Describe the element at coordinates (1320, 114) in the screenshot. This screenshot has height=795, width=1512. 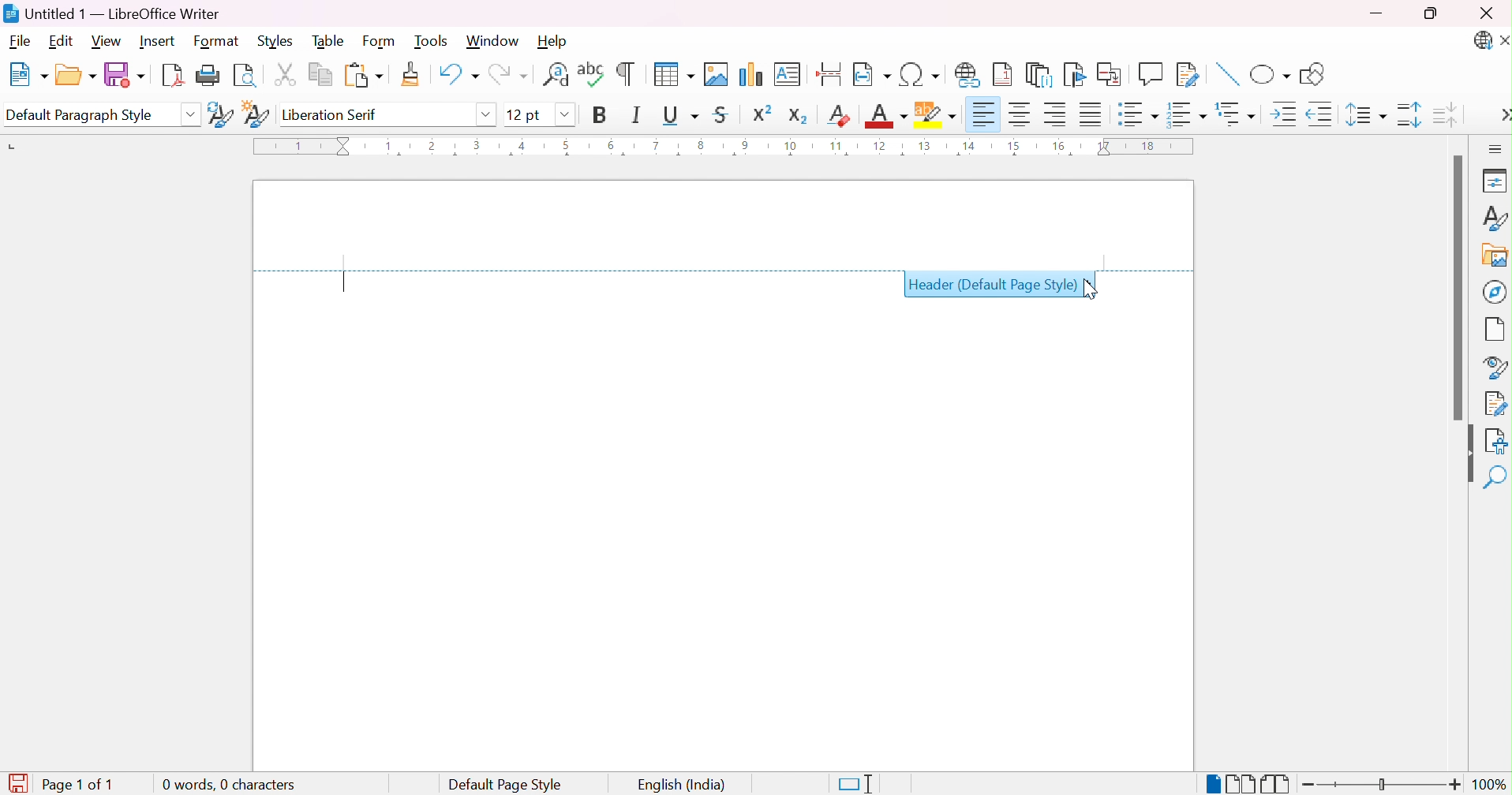
I see `Decrease indent` at that location.